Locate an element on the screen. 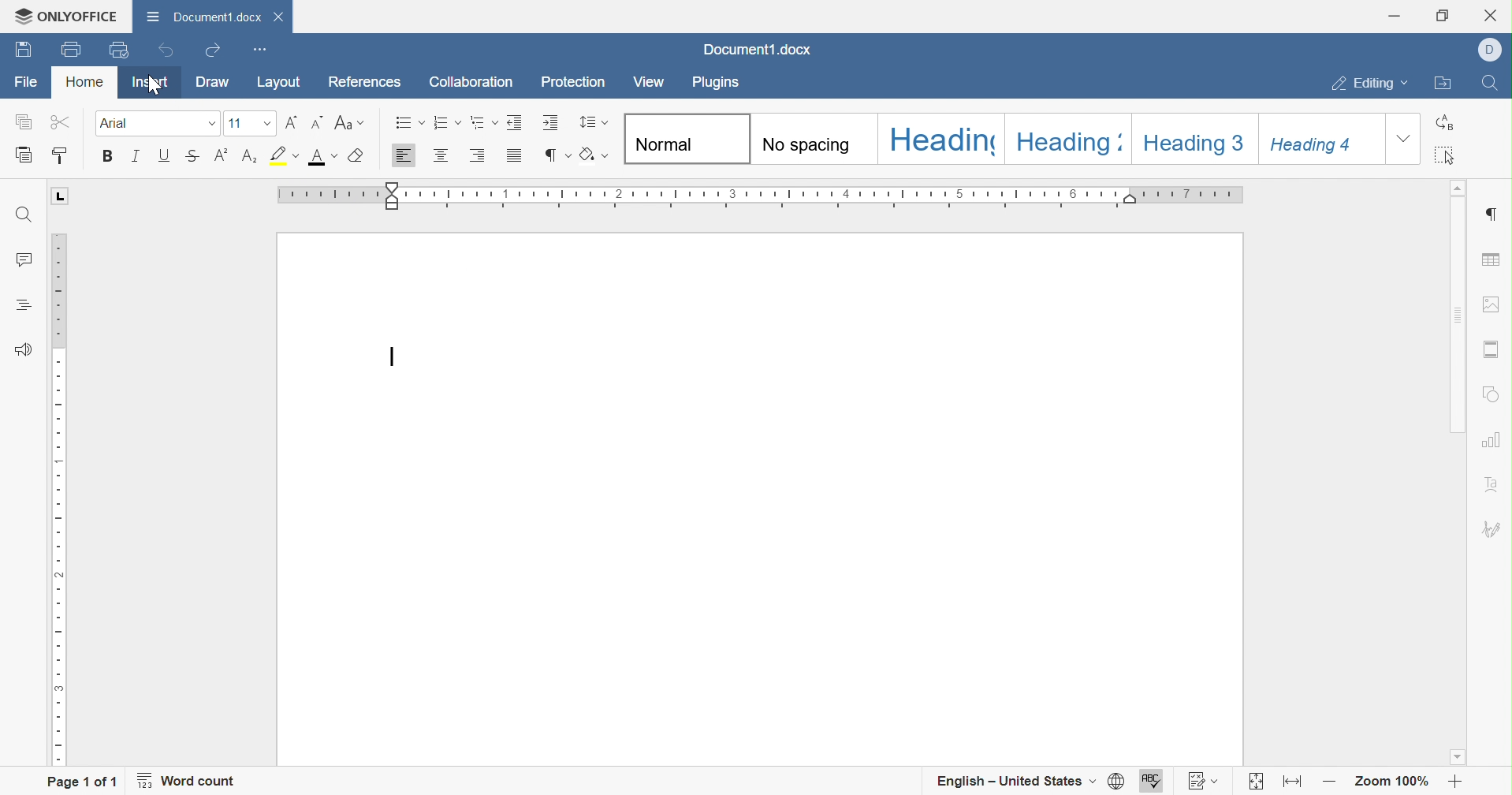 This screenshot has width=1512, height=795. Ruler is located at coordinates (61, 473).